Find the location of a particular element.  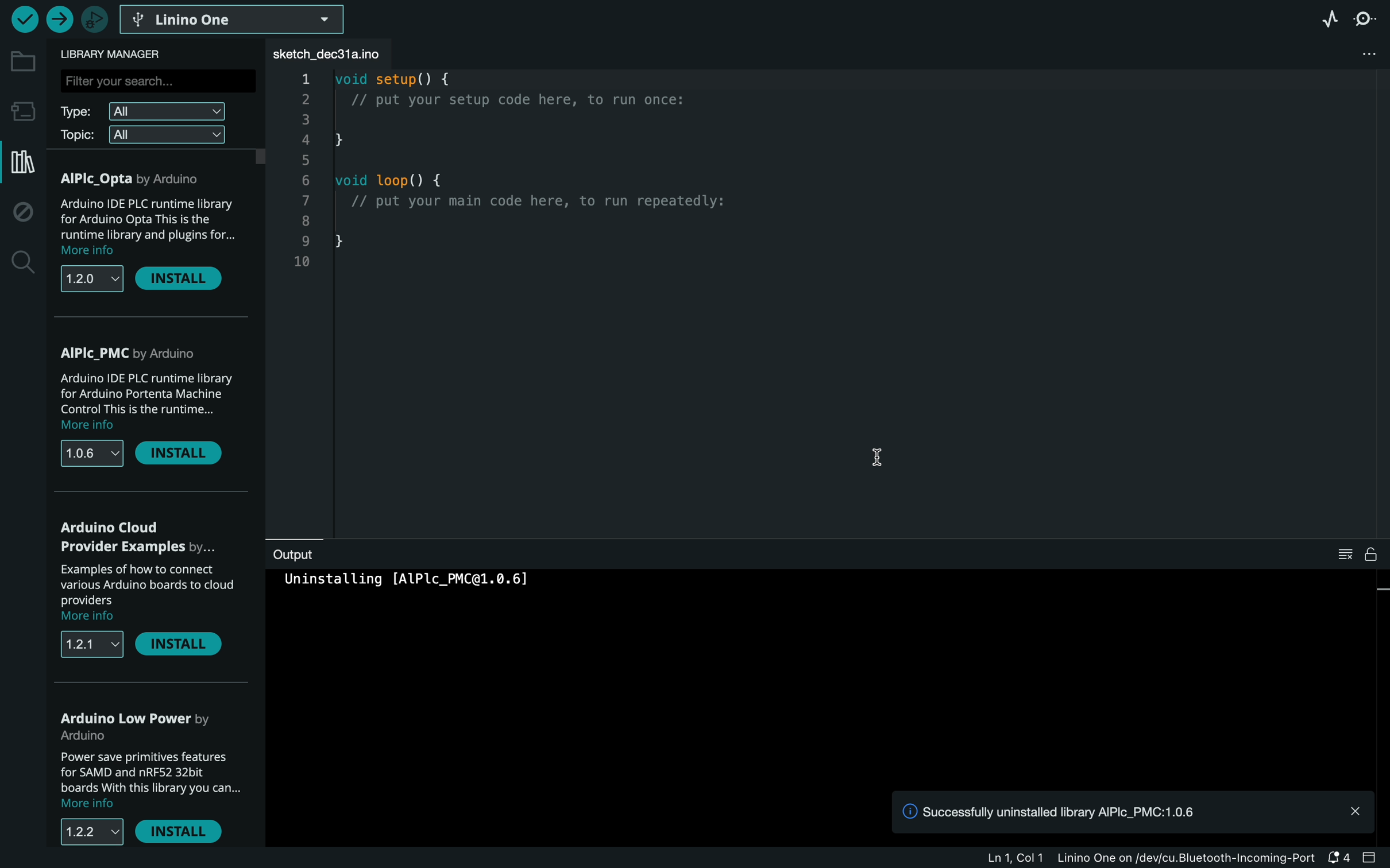

notification is located at coordinates (1134, 811).